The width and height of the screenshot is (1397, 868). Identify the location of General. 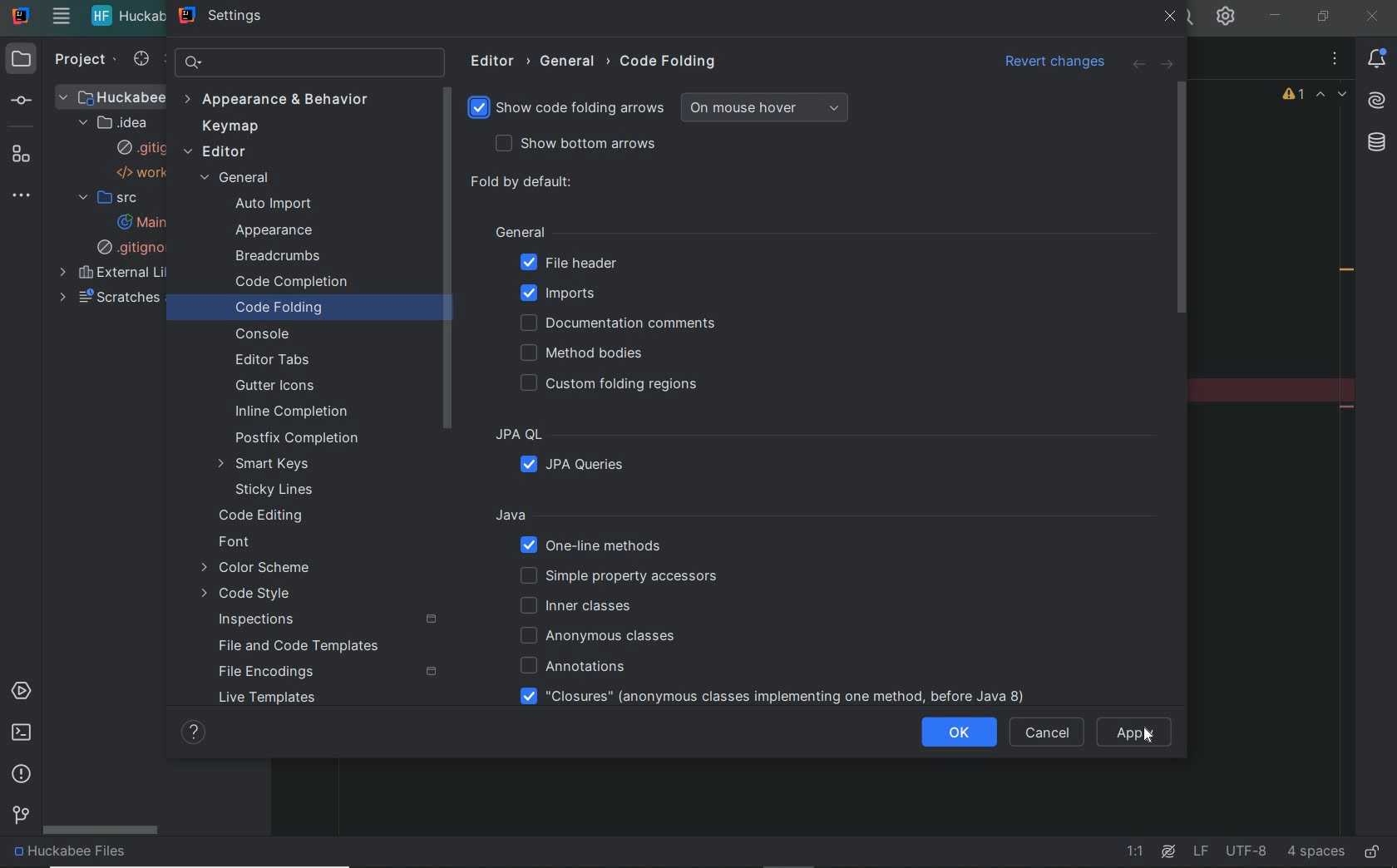
(613, 233).